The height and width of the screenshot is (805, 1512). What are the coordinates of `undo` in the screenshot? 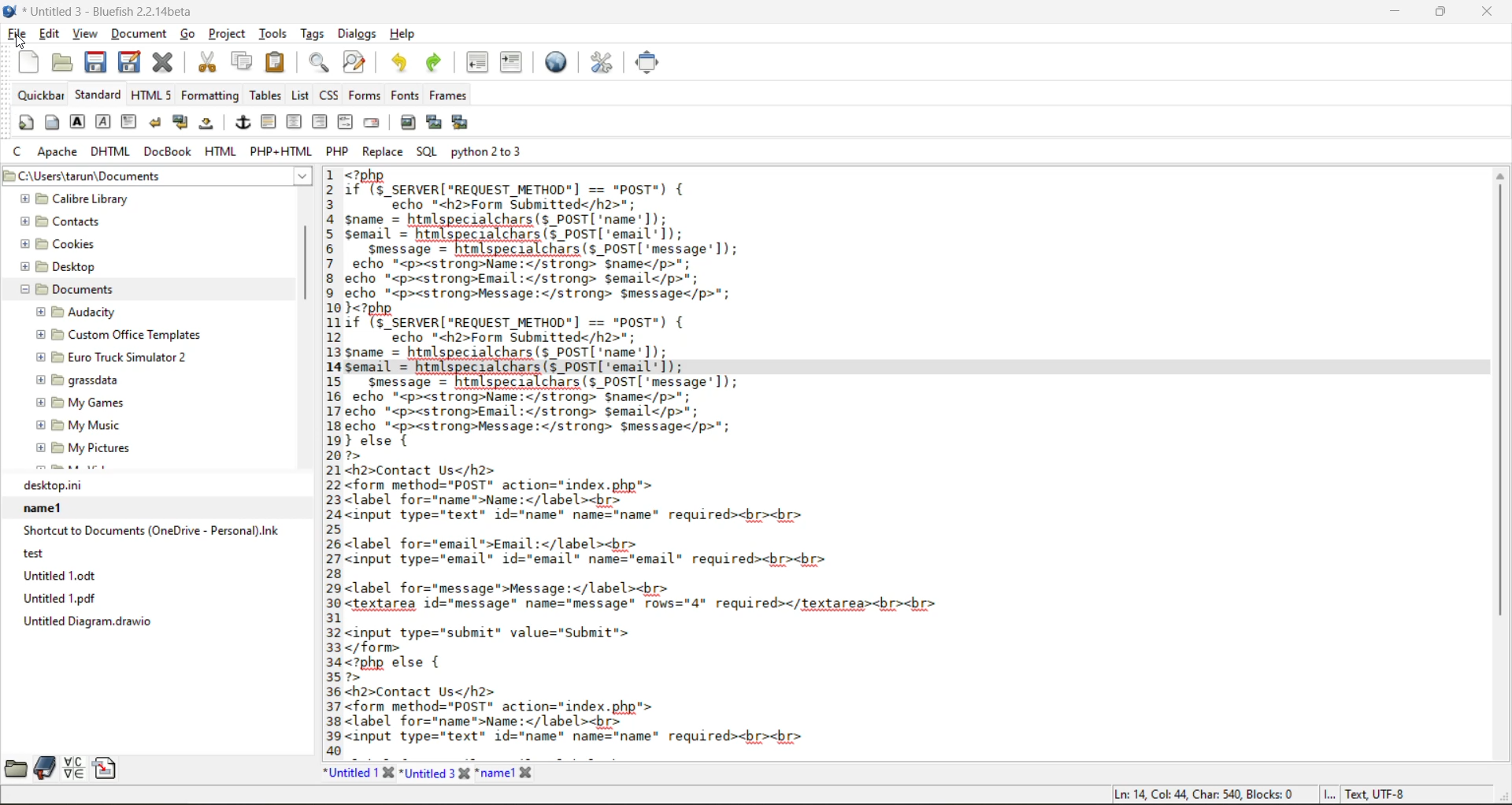 It's located at (398, 62).